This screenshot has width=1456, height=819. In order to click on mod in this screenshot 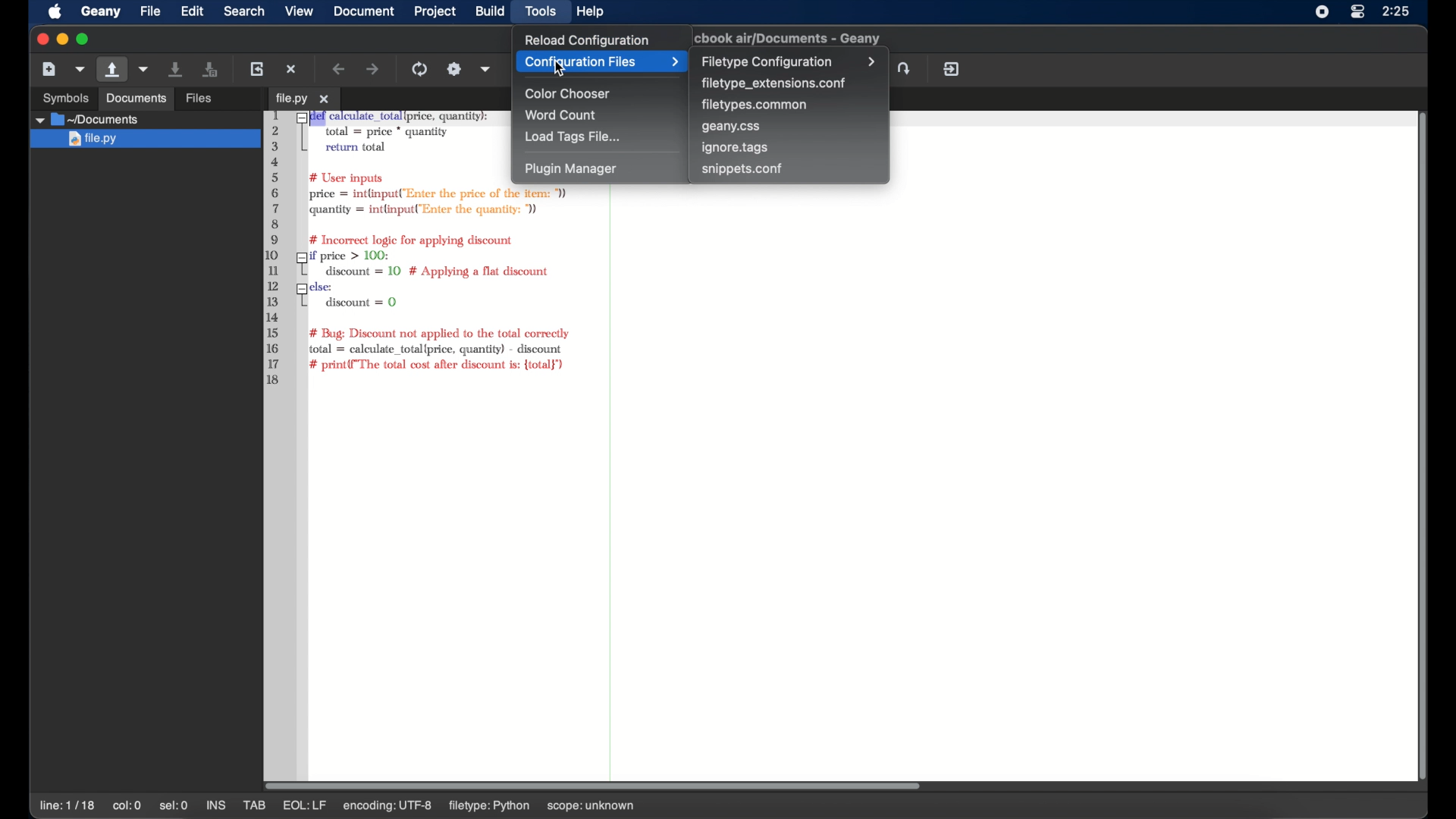, I will do `click(297, 805)`.